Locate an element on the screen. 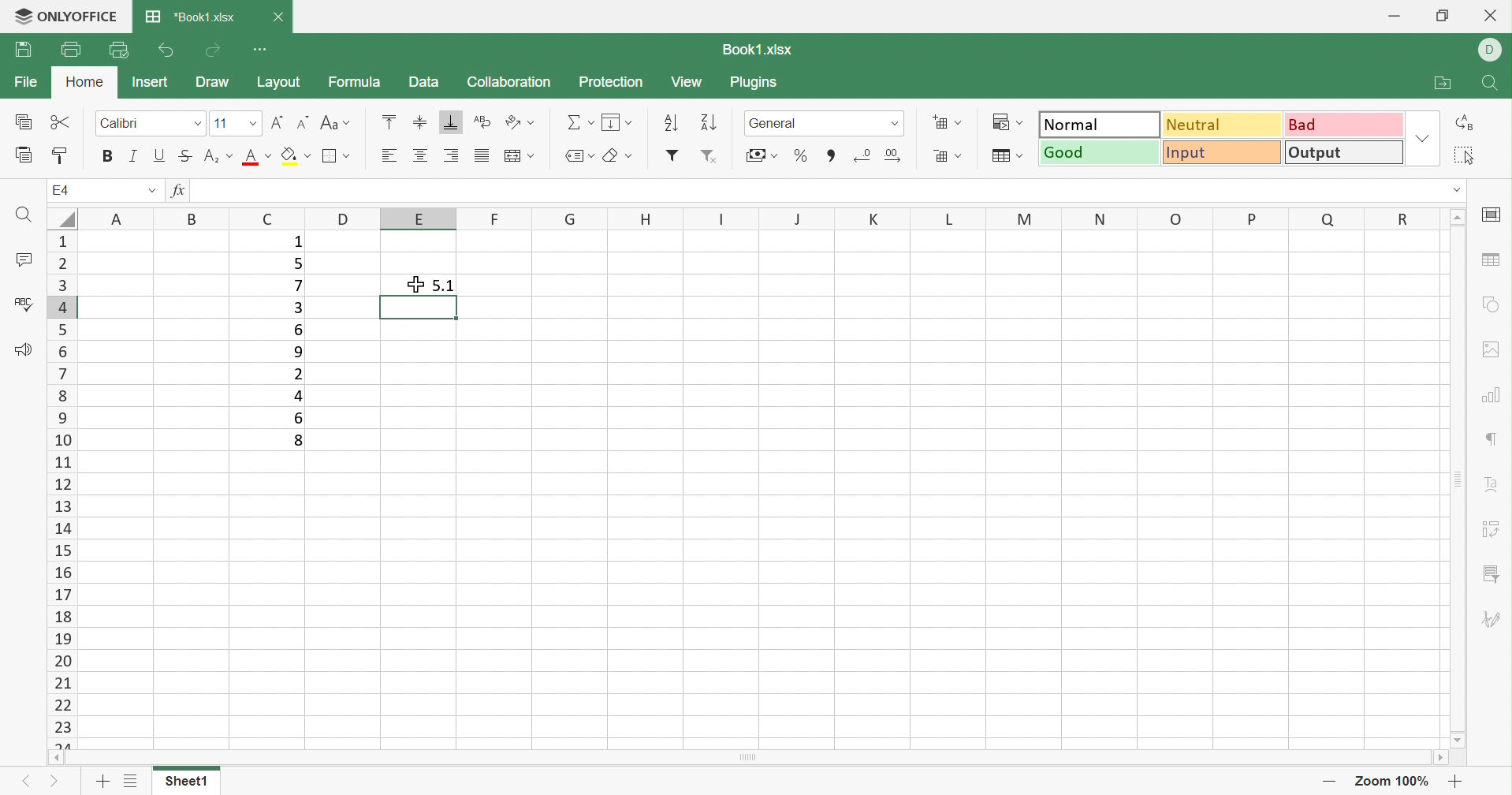 Image resolution: width=1512 pixels, height=795 pixels. Decrease decimals is located at coordinates (864, 154).